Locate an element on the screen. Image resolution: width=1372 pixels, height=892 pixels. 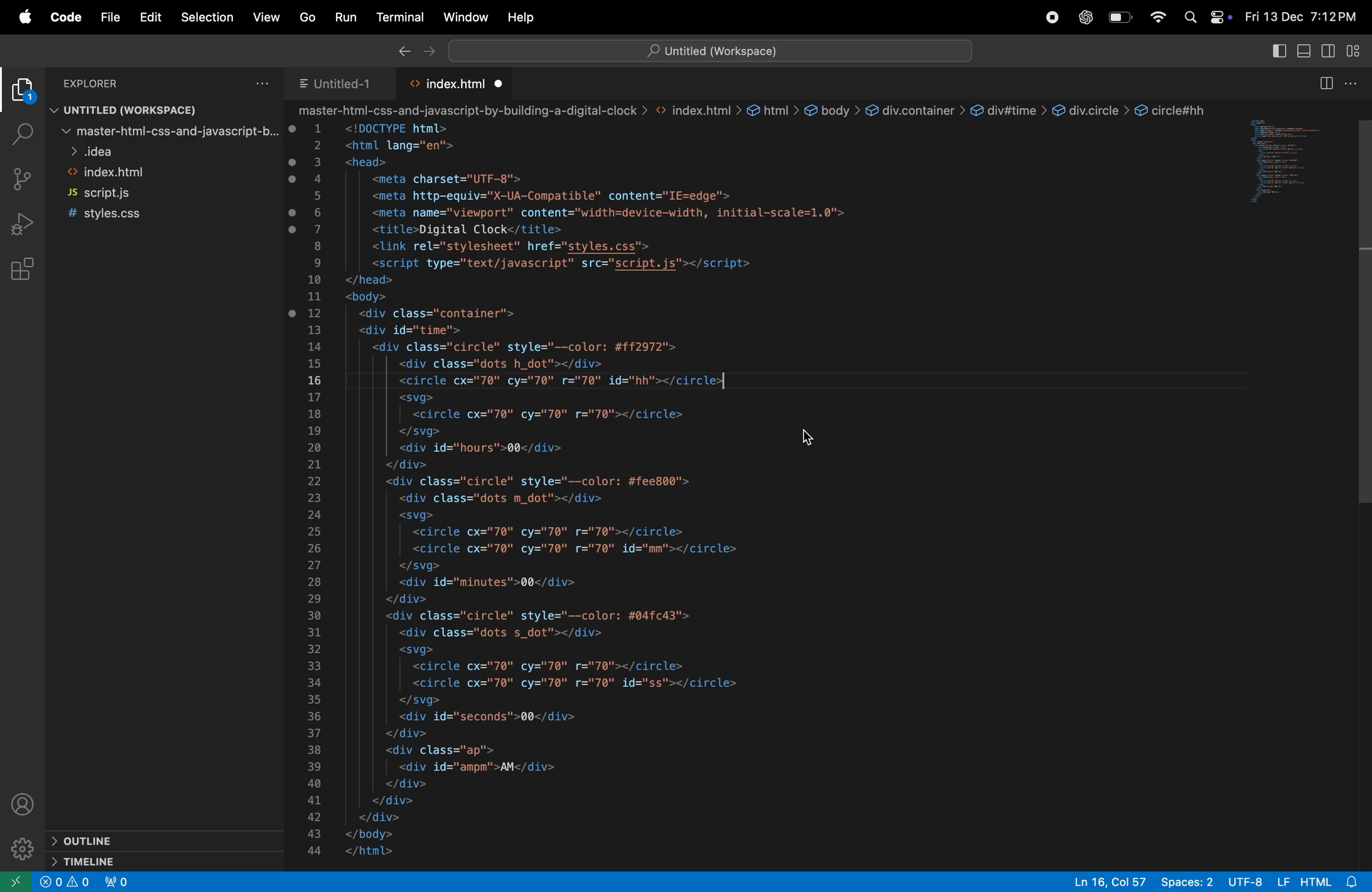
untitled workspace is located at coordinates (710, 50).